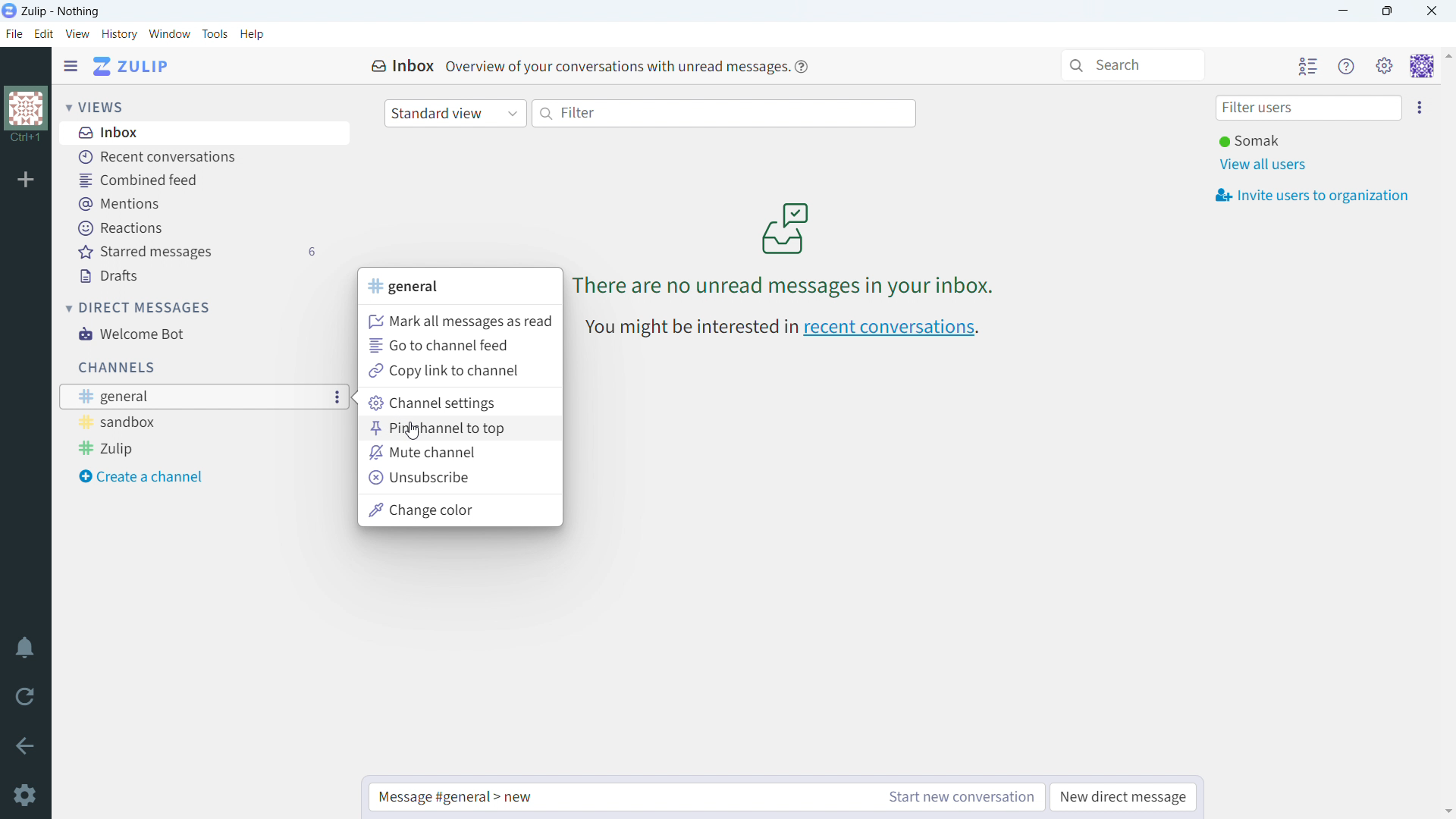  Describe the element at coordinates (1419, 108) in the screenshot. I see `invite users` at that location.